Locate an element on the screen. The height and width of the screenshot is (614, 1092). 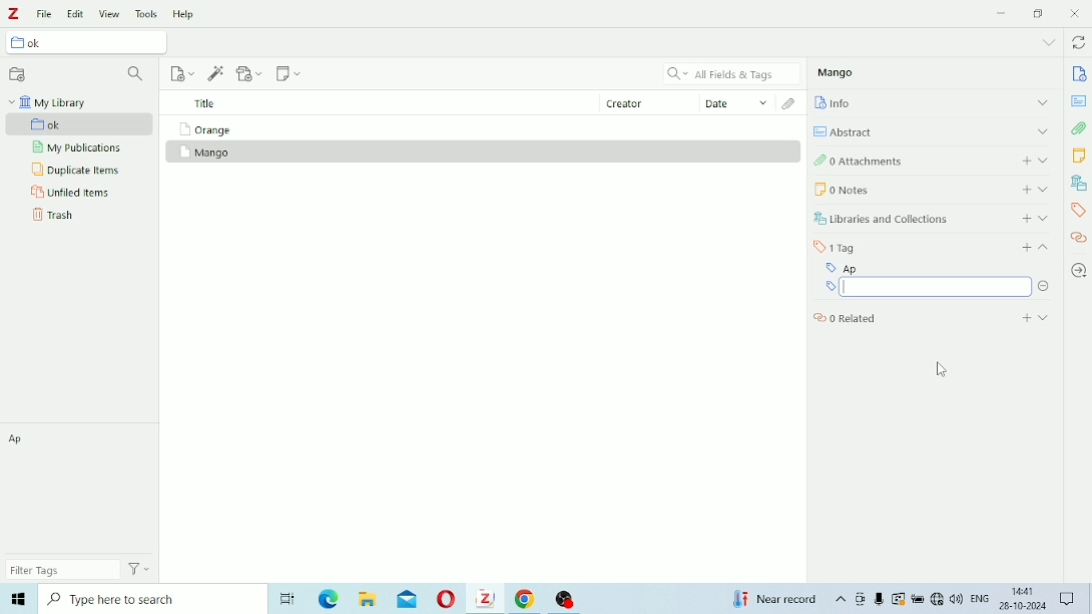
Mic is located at coordinates (879, 598).